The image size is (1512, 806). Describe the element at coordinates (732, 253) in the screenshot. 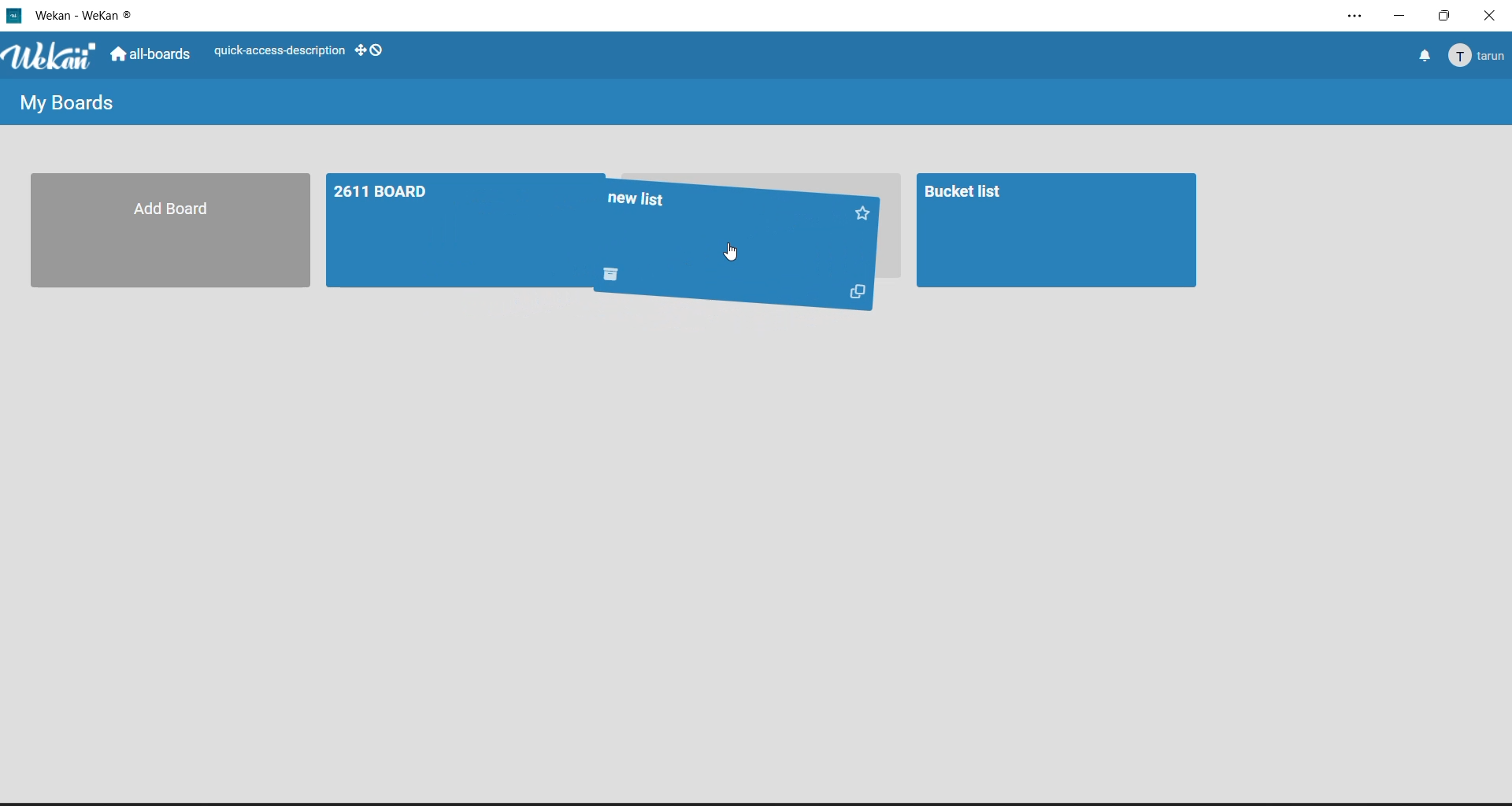

I see `cursor` at that location.